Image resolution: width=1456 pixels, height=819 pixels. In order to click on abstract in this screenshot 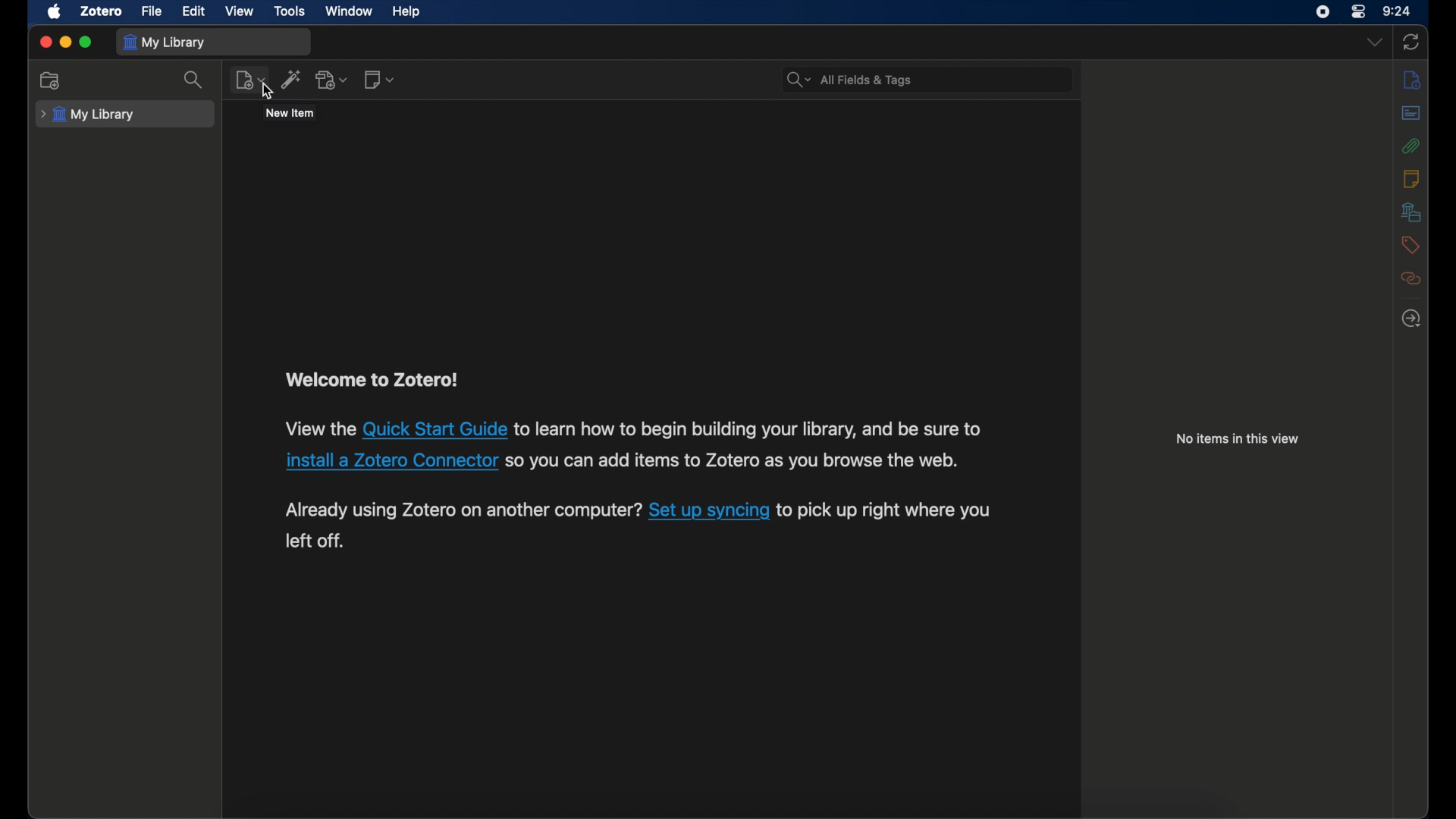, I will do `click(1411, 113)`.